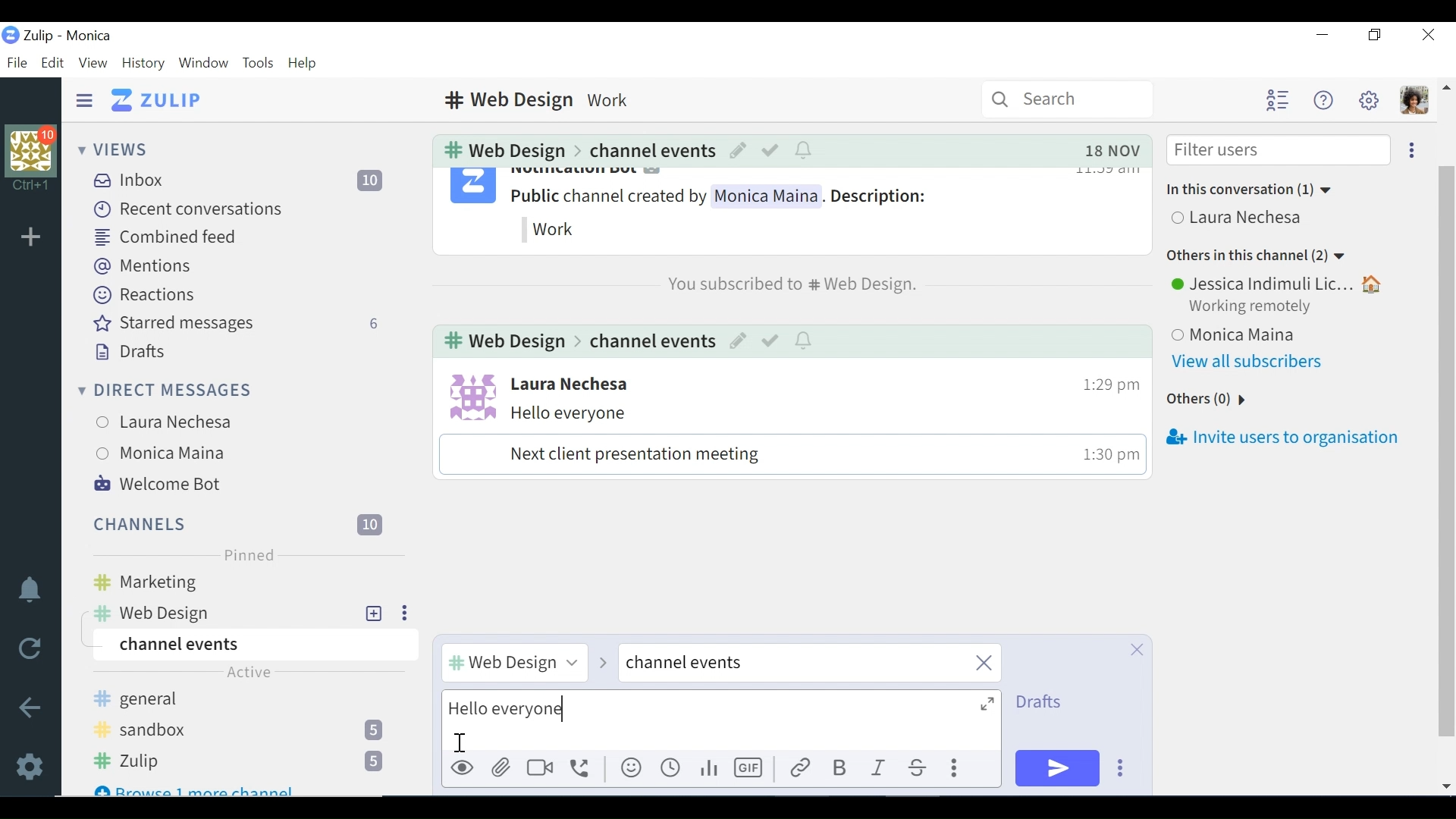 Image resolution: width=1456 pixels, height=819 pixels. Describe the element at coordinates (1241, 219) in the screenshot. I see `User` at that location.